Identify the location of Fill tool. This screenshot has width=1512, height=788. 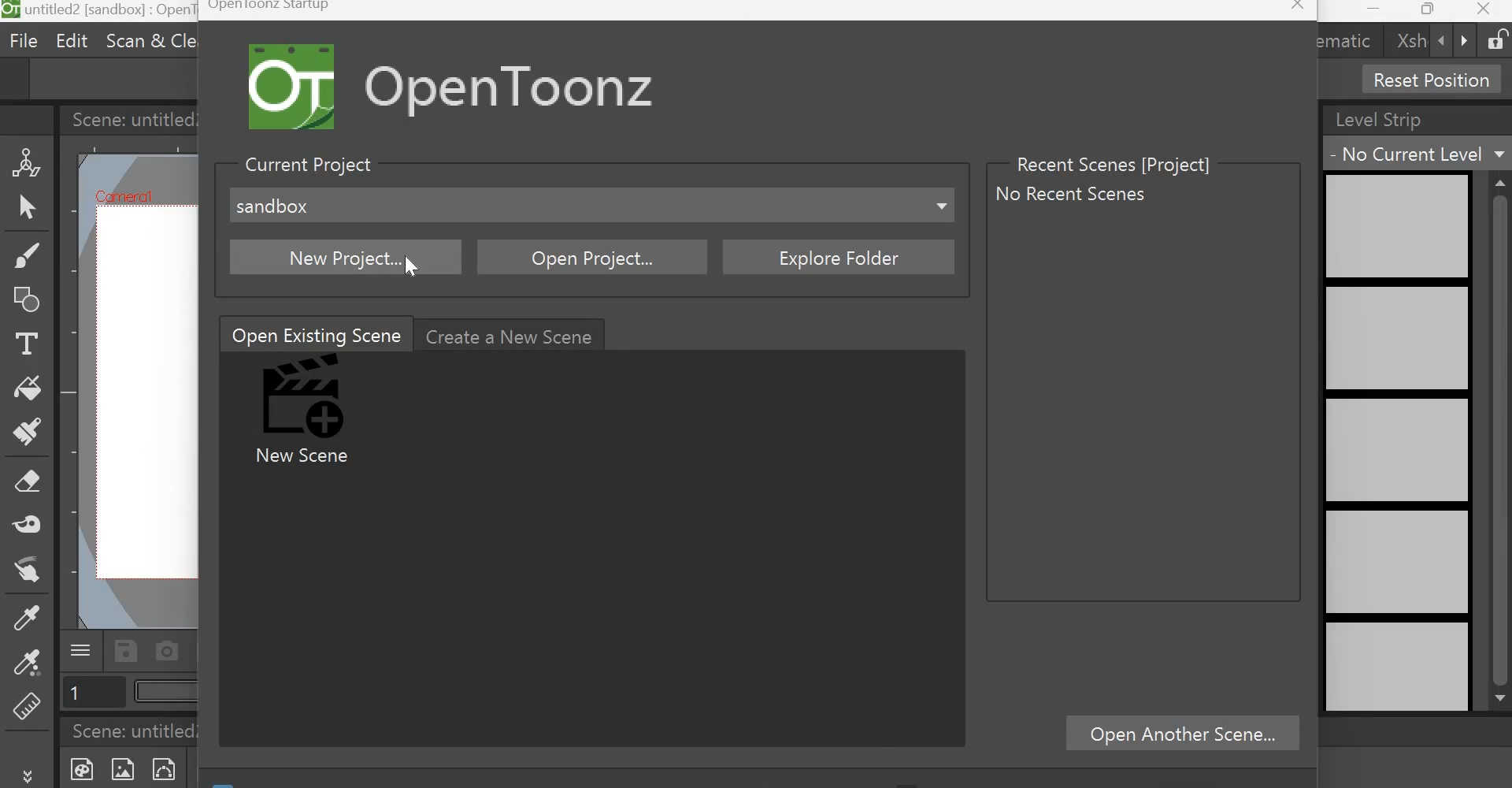
(28, 388).